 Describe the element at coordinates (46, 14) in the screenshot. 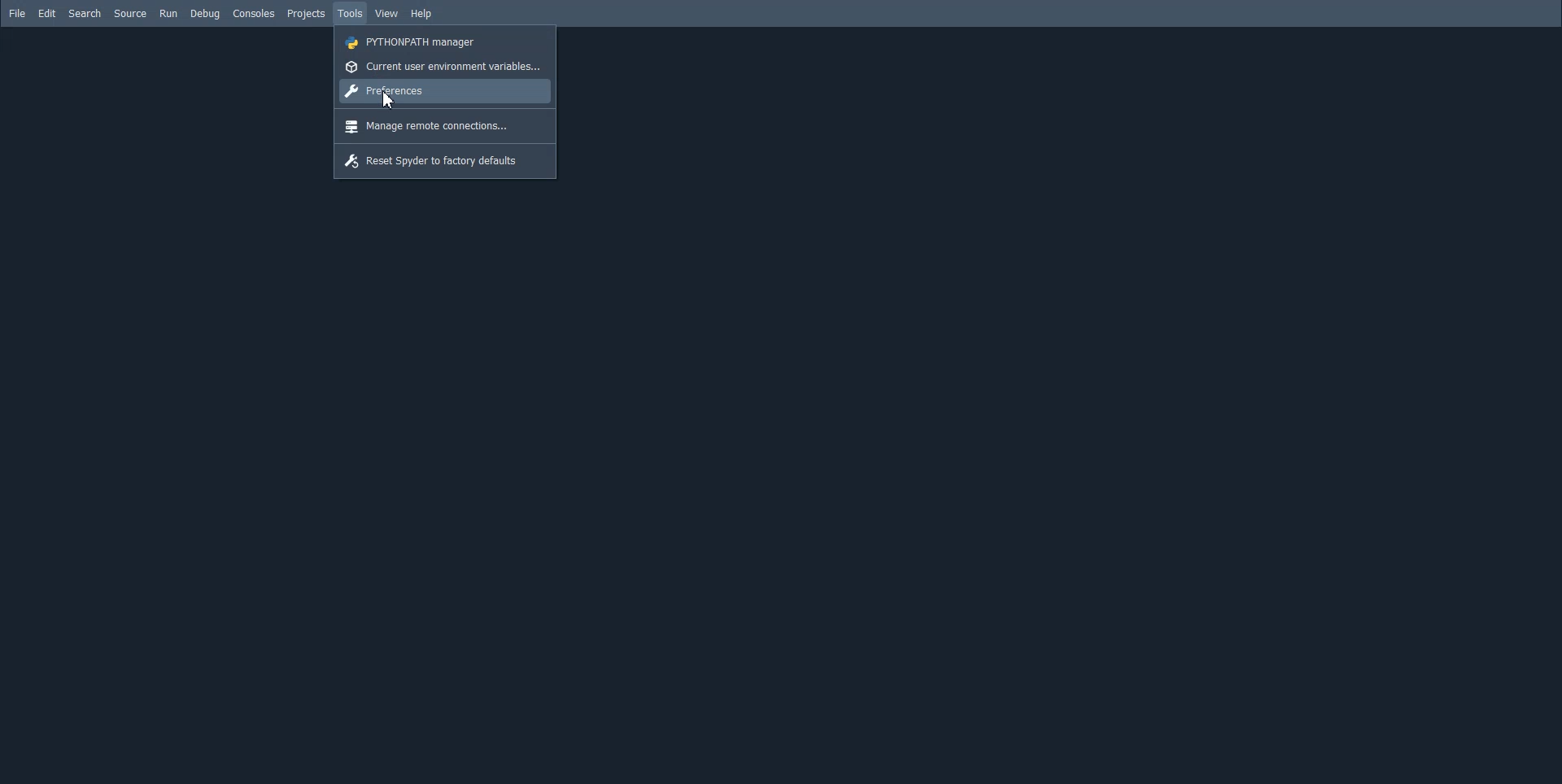

I see `Edit` at that location.